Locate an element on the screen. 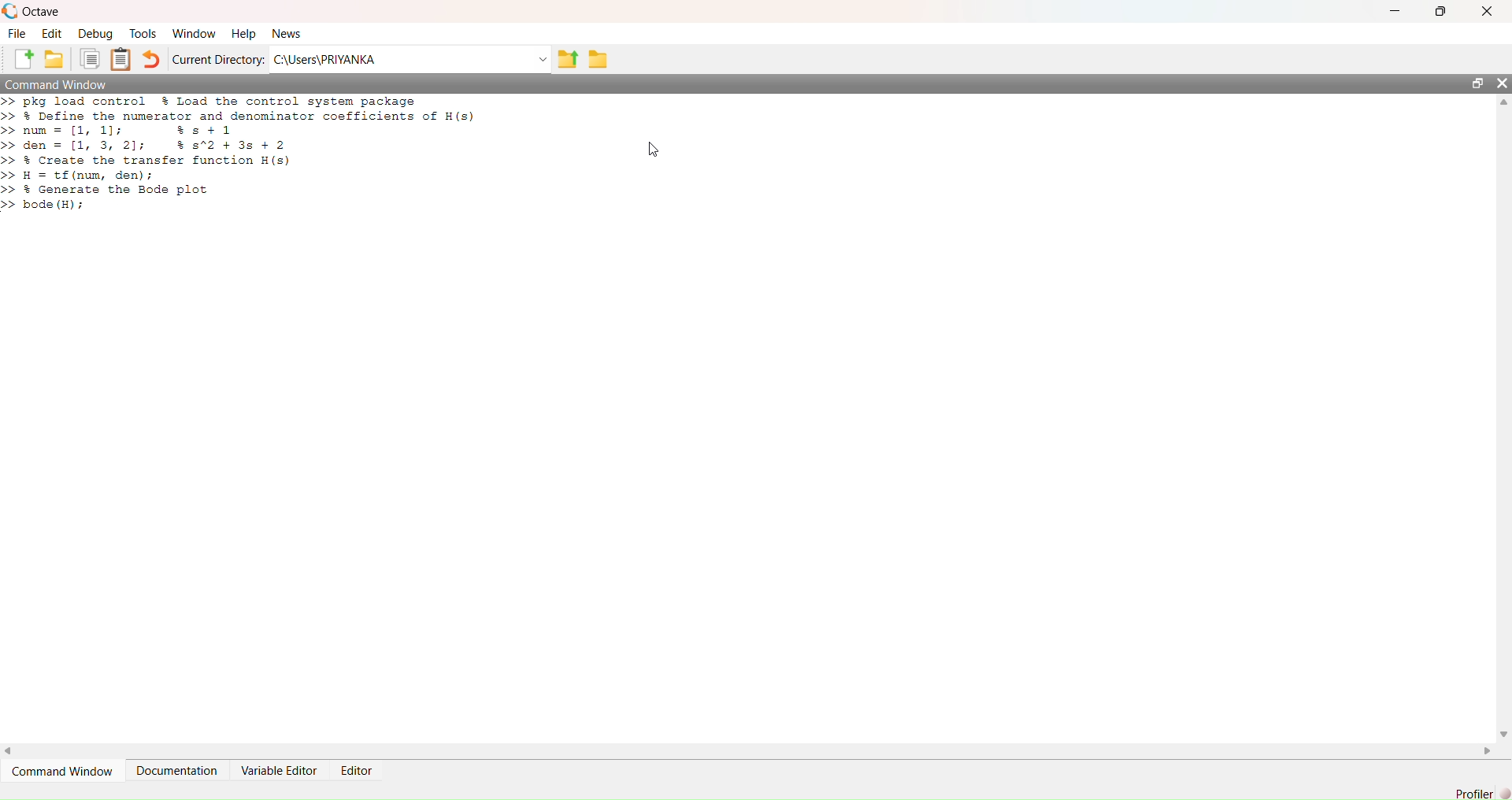  Editor is located at coordinates (356, 771).